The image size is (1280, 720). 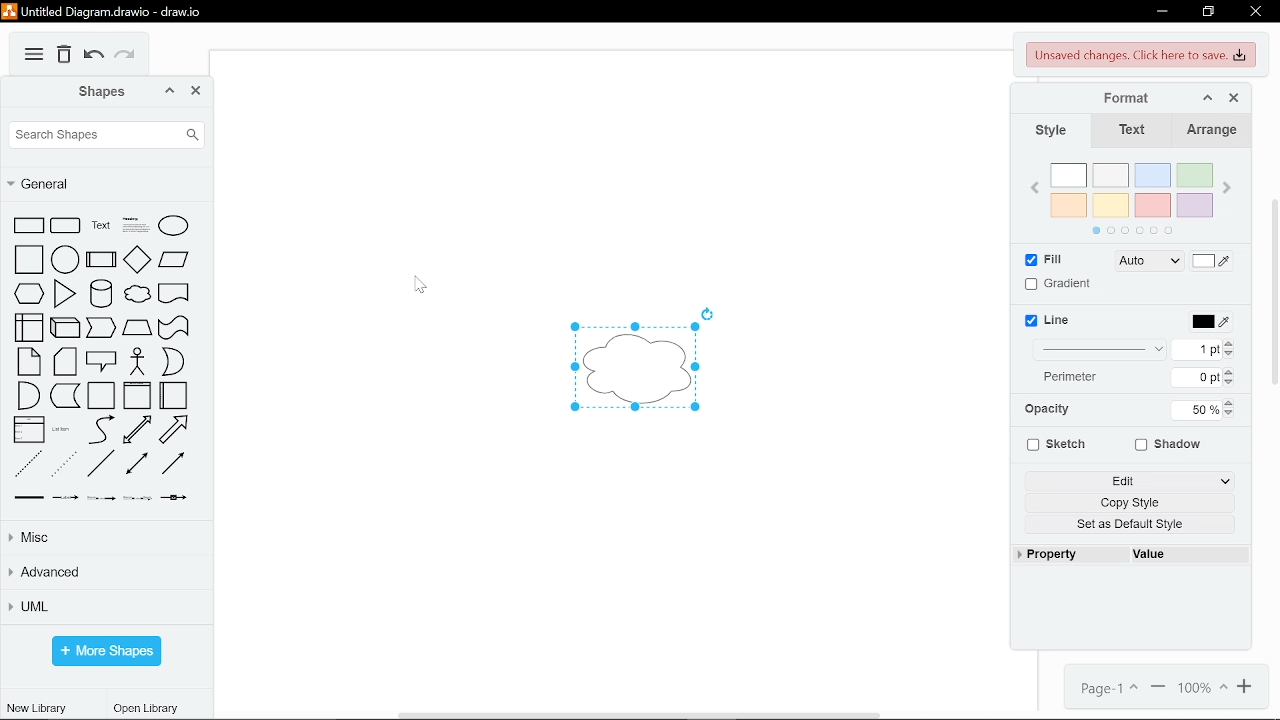 What do you see at coordinates (421, 284) in the screenshot?
I see `cursor` at bounding box center [421, 284].